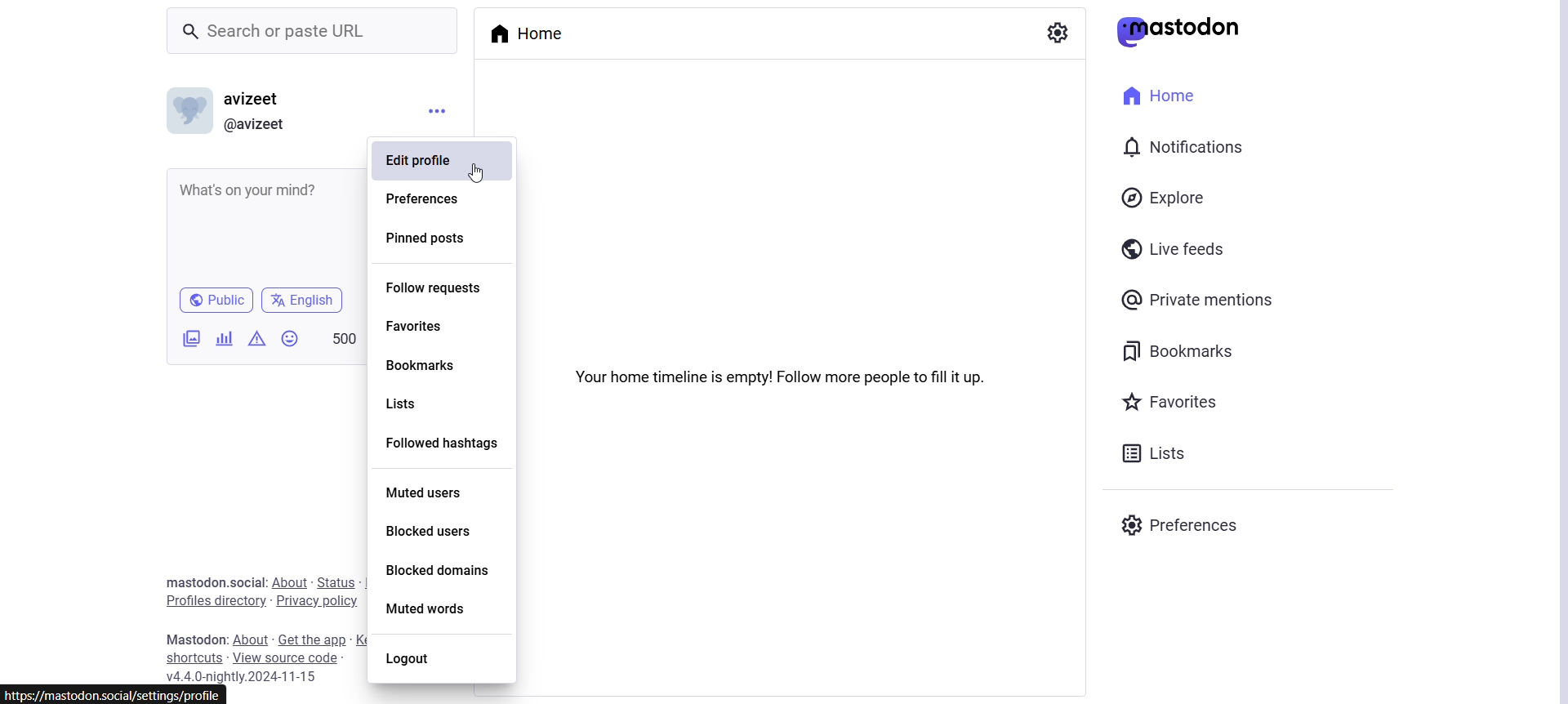  Describe the element at coordinates (246, 676) in the screenshot. I see `Version Name` at that location.